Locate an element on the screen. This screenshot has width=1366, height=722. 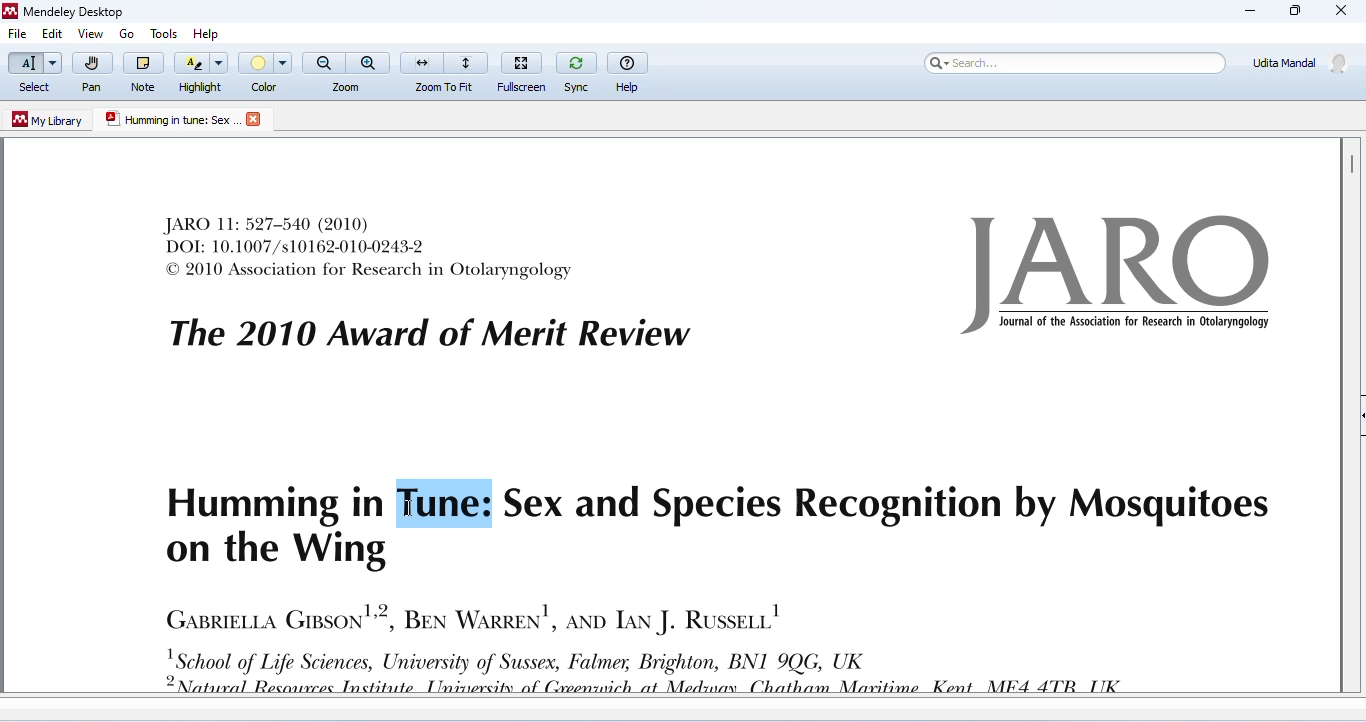
pan is located at coordinates (91, 73).